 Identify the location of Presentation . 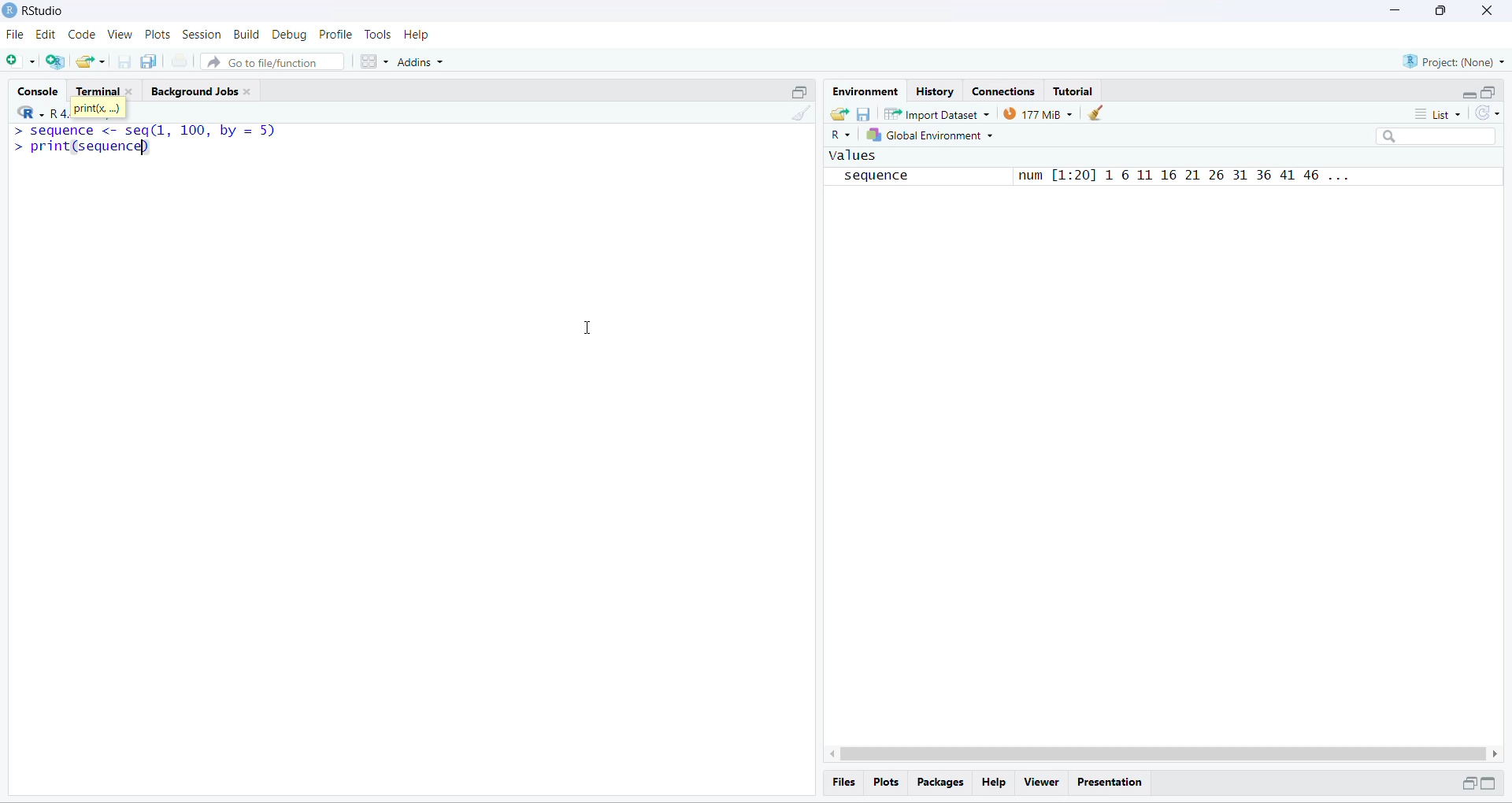
(1110, 783).